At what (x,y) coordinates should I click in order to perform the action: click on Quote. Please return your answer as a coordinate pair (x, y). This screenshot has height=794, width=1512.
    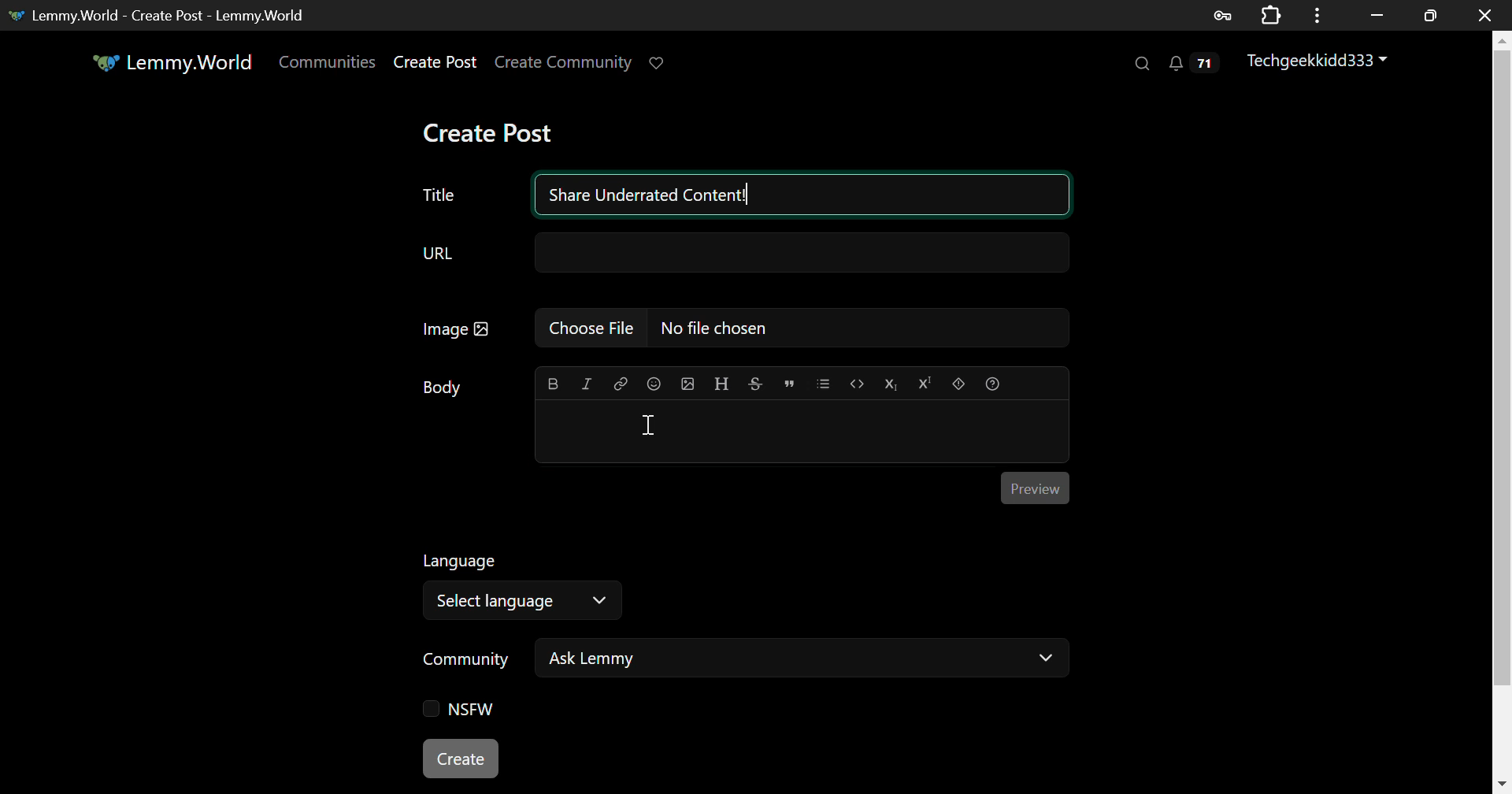
    Looking at the image, I should click on (787, 384).